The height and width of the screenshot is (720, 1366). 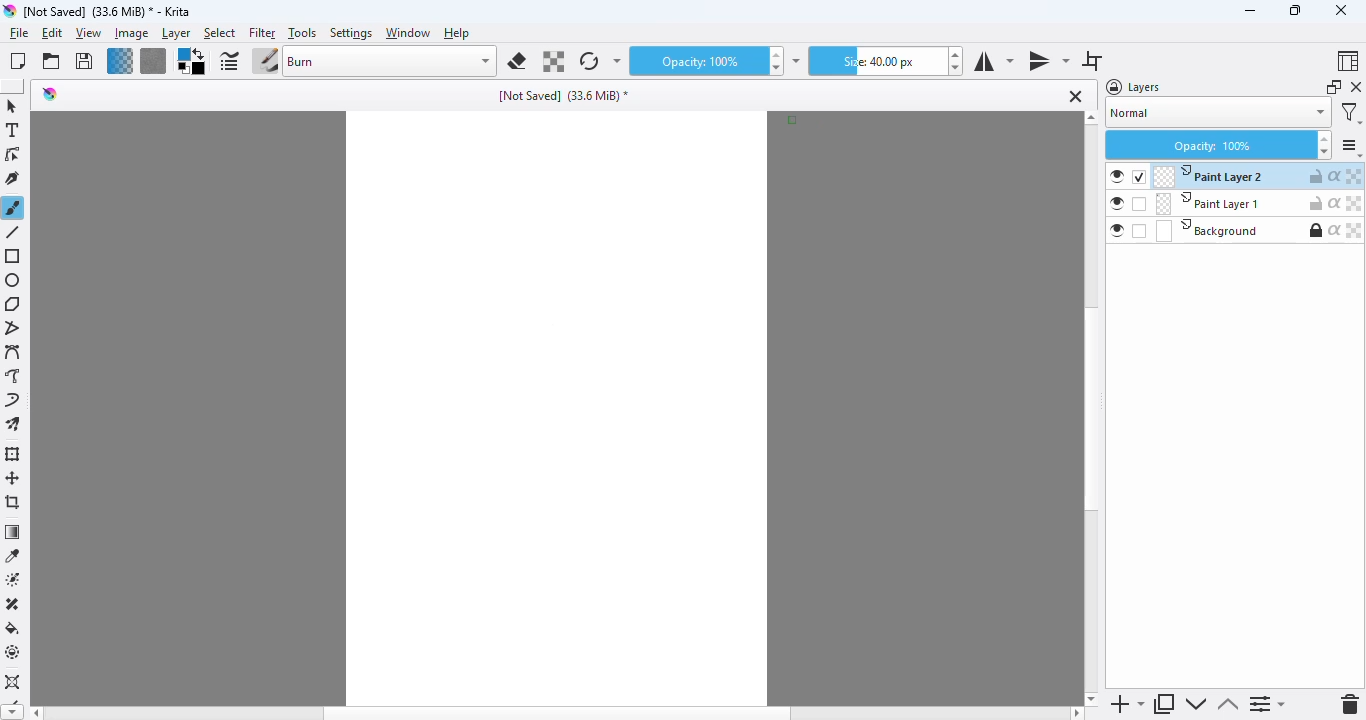 What do you see at coordinates (1118, 177) in the screenshot?
I see `visibility` at bounding box center [1118, 177].